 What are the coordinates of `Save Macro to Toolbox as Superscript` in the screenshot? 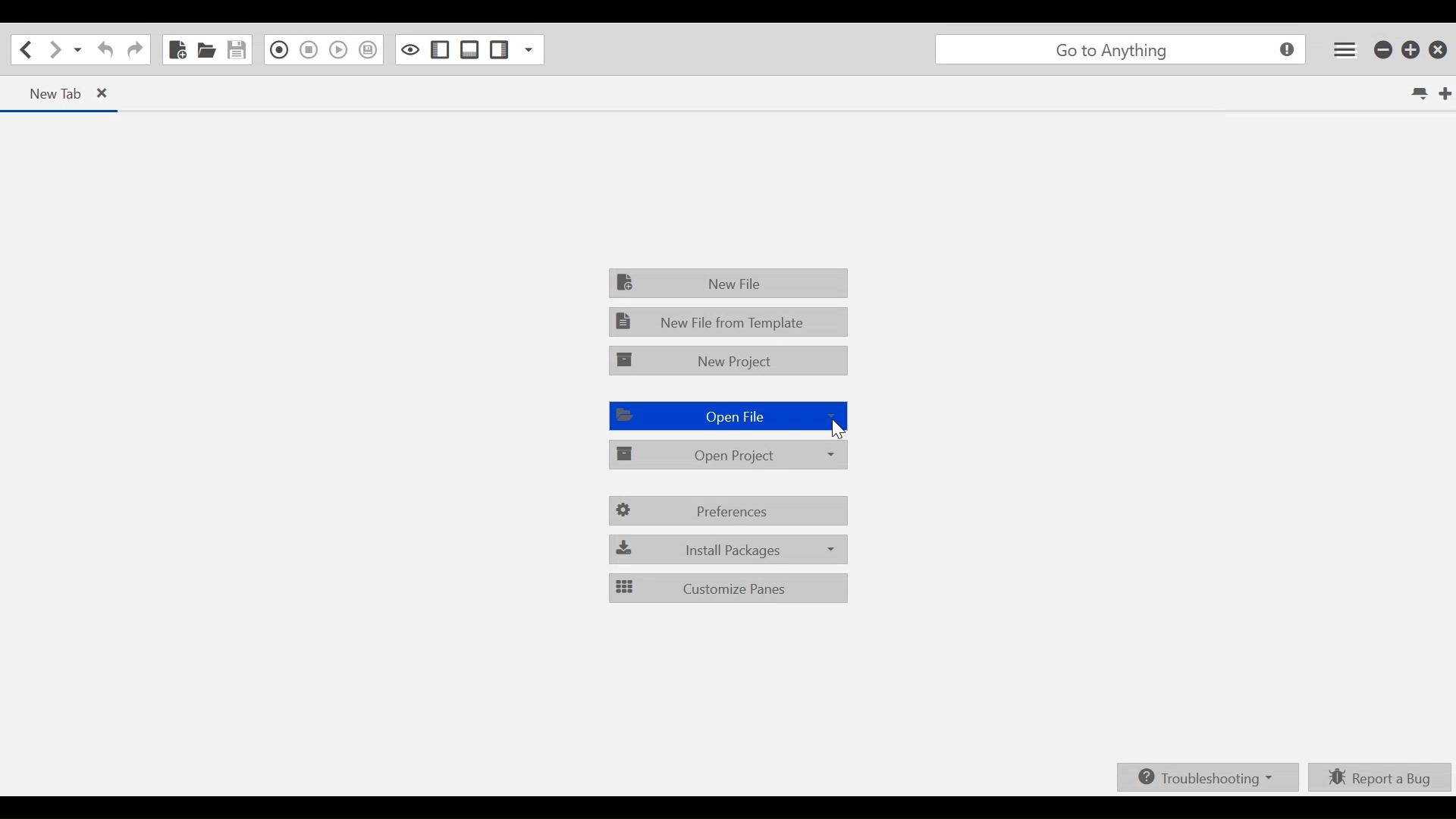 It's located at (369, 50).